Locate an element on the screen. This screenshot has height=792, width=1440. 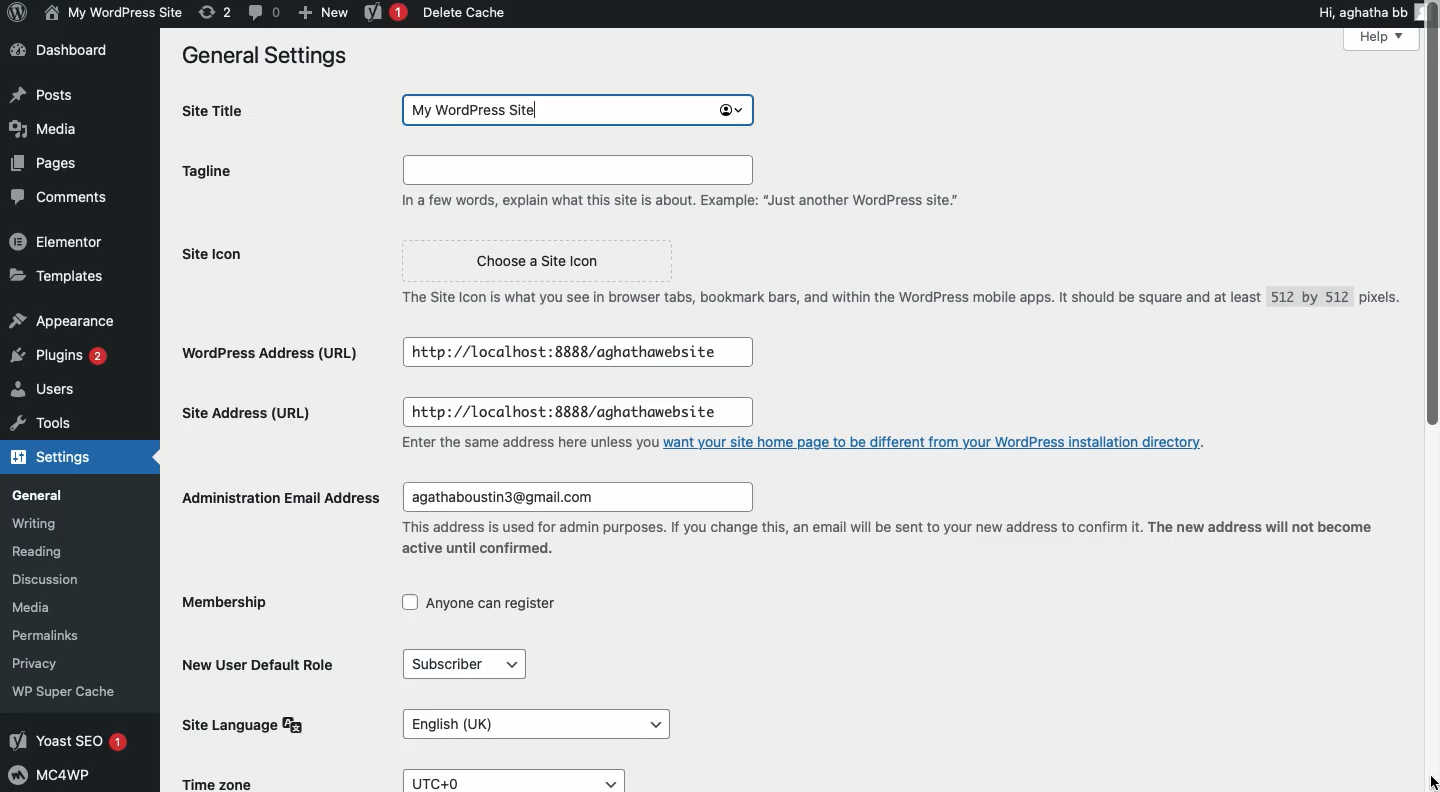
Comment is located at coordinates (266, 12).